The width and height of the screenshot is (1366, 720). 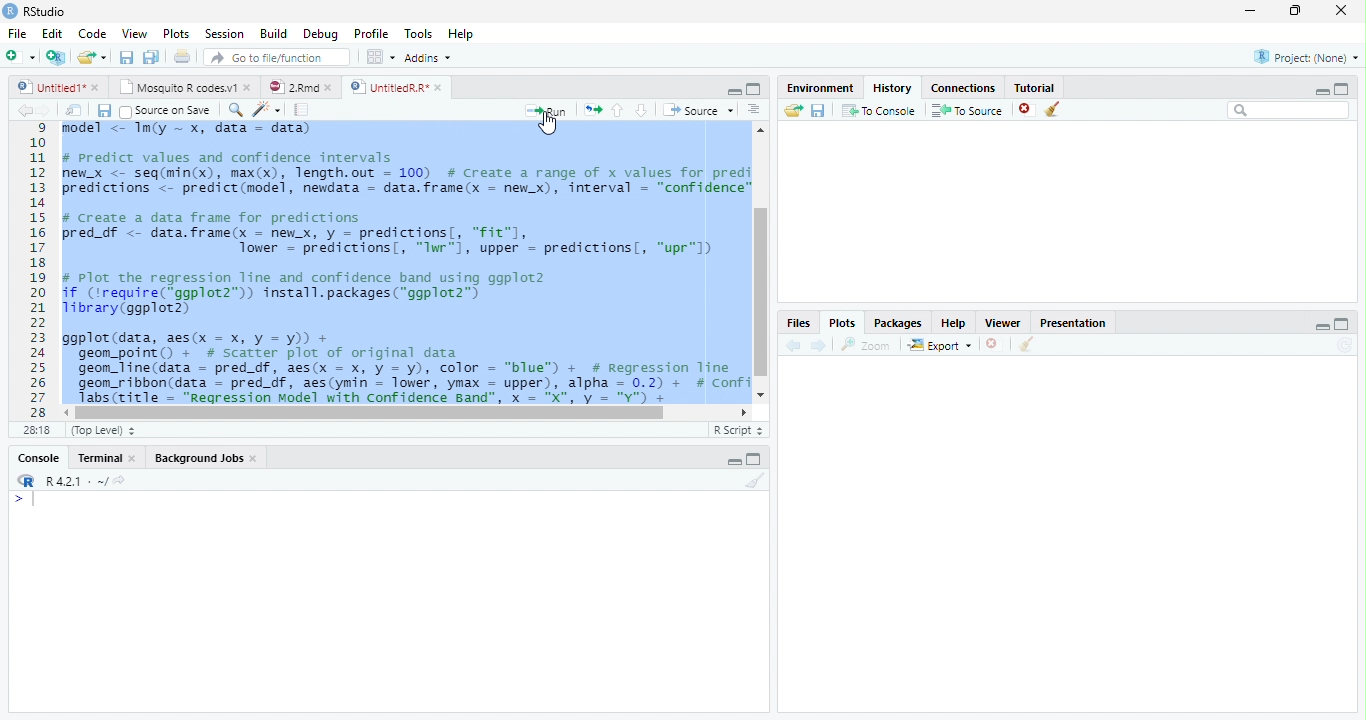 What do you see at coordinates (108, 455) in the screenshot?
I see `Terminal` at bounding box center [108, 455].